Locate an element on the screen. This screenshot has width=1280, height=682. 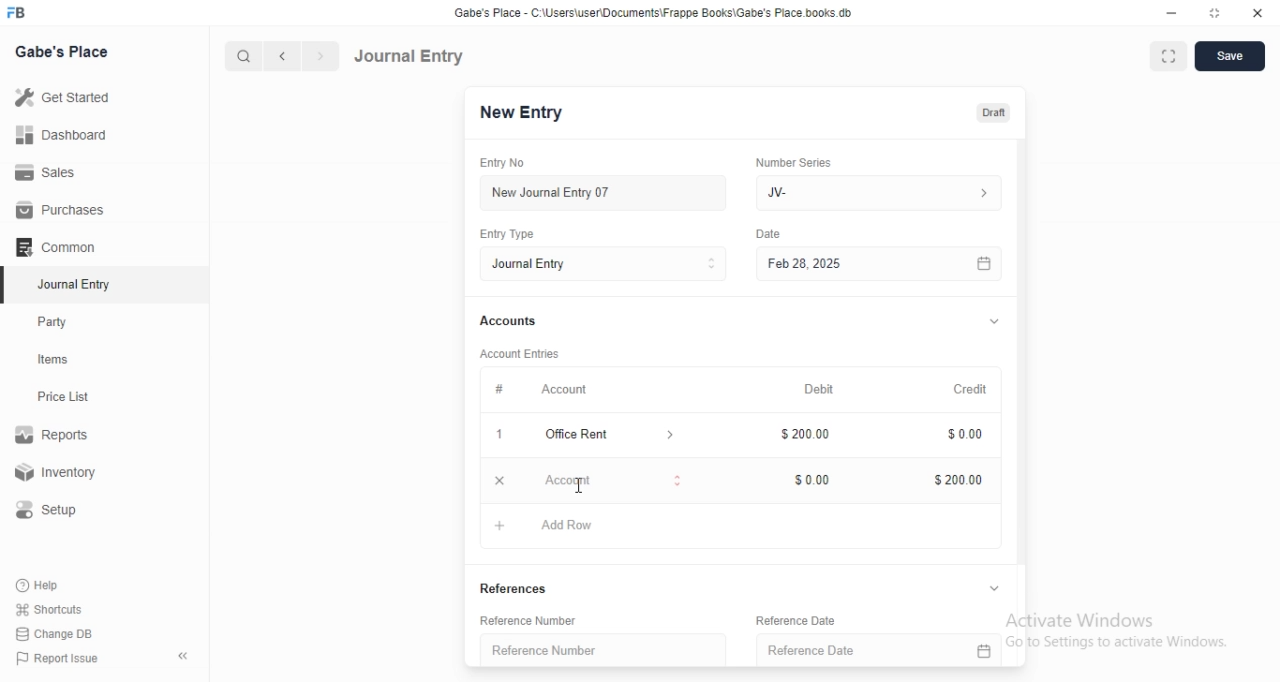
Reports. is located at coordinates (55, 438).